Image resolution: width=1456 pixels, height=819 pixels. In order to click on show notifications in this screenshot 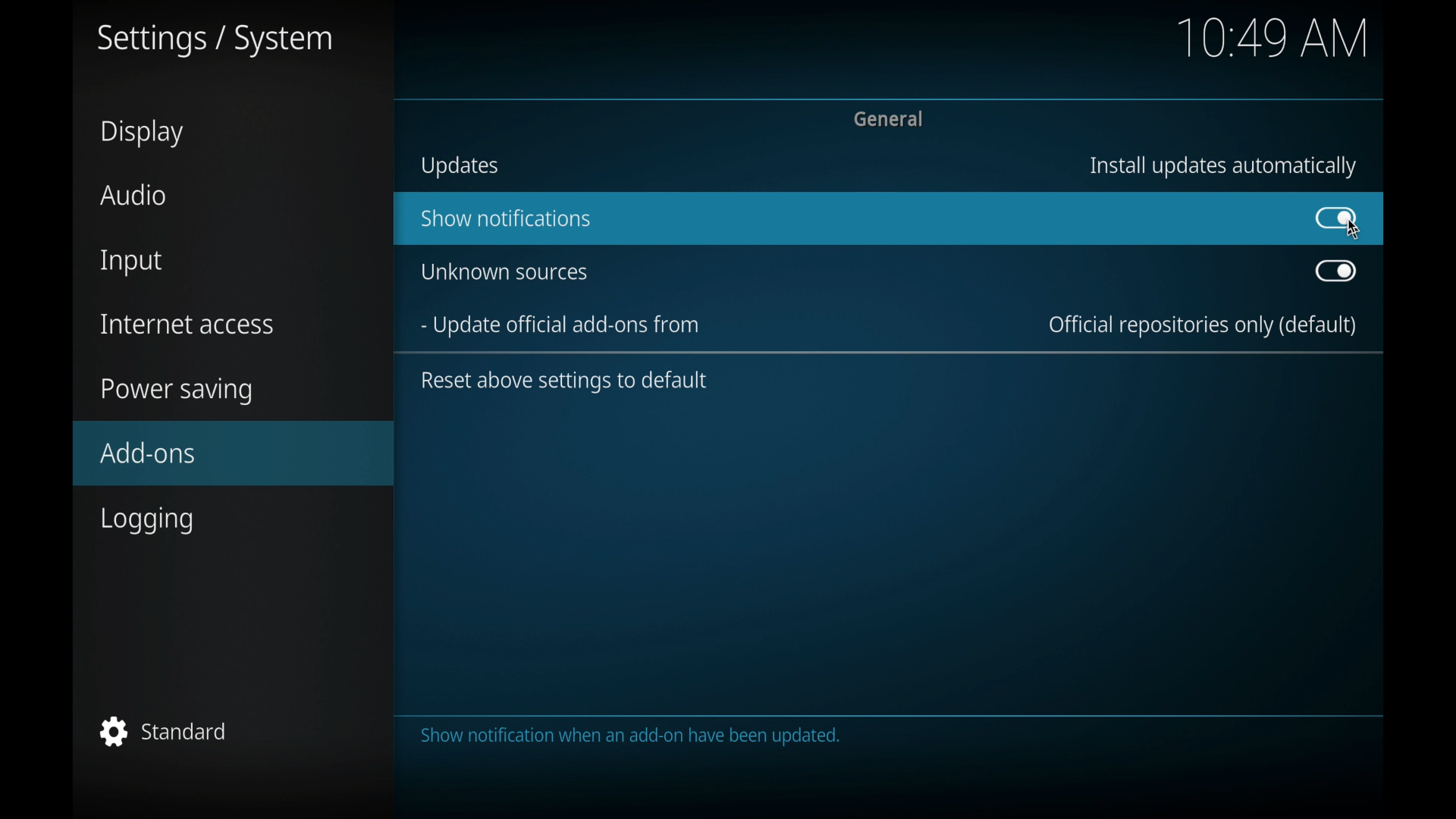, I will do `click(504, 218)`.